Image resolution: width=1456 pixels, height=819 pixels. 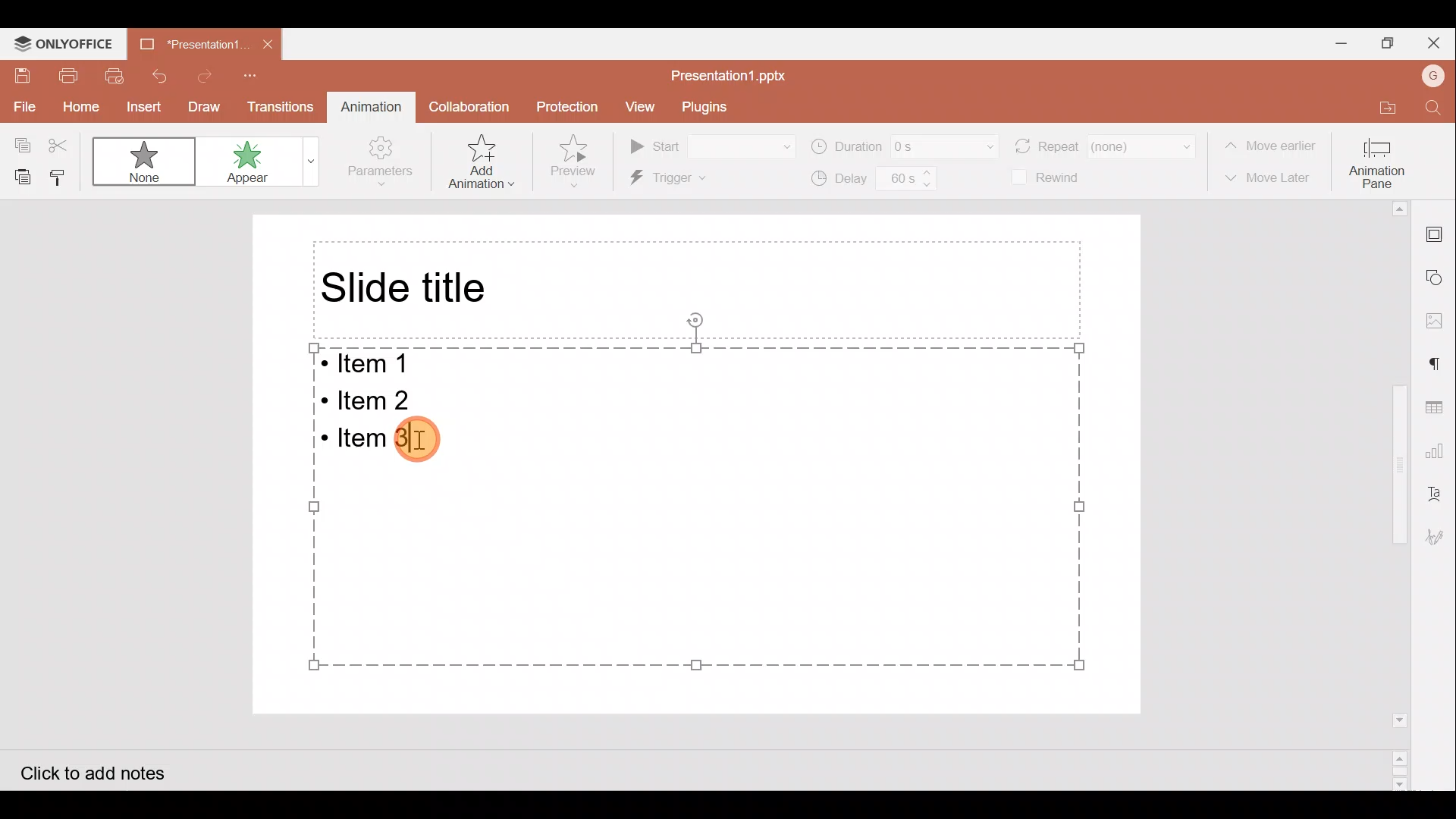 I want to click on Cursor on presentation slide, so click(x=425, y=450).